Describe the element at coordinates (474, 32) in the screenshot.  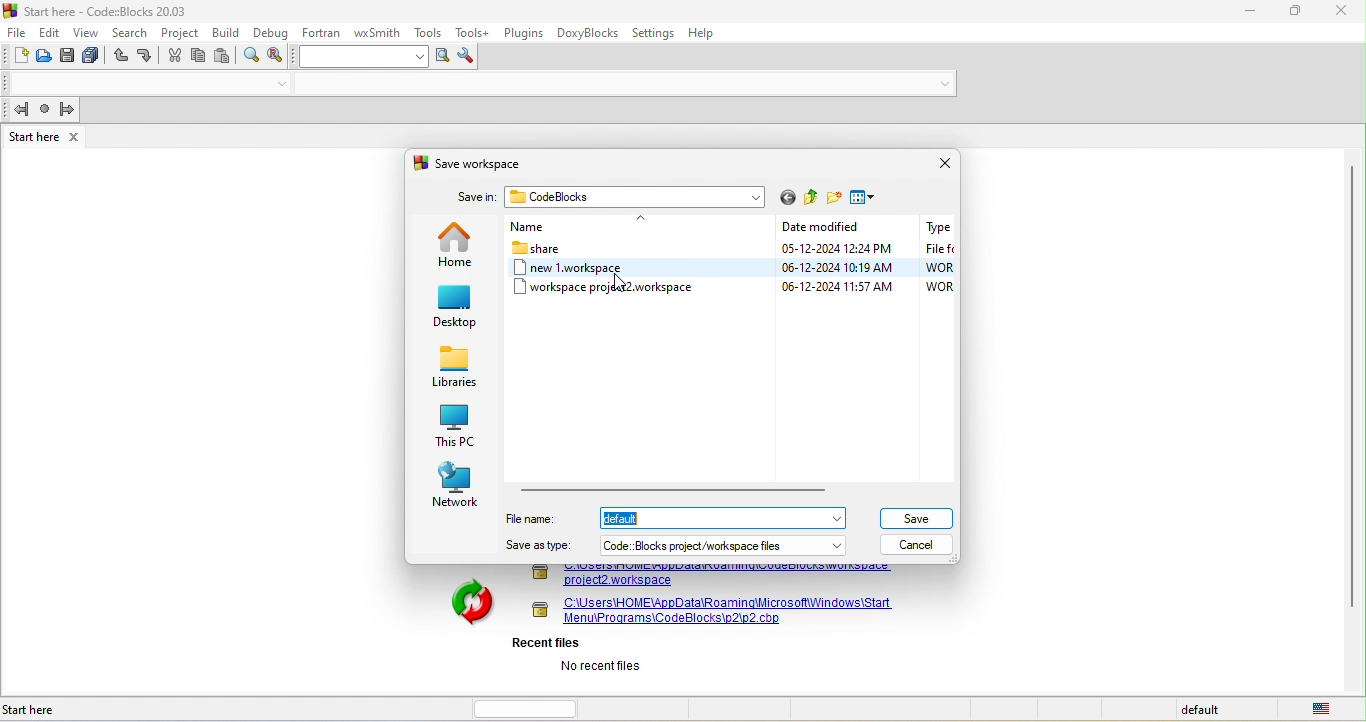
I see `tools++` at that location.